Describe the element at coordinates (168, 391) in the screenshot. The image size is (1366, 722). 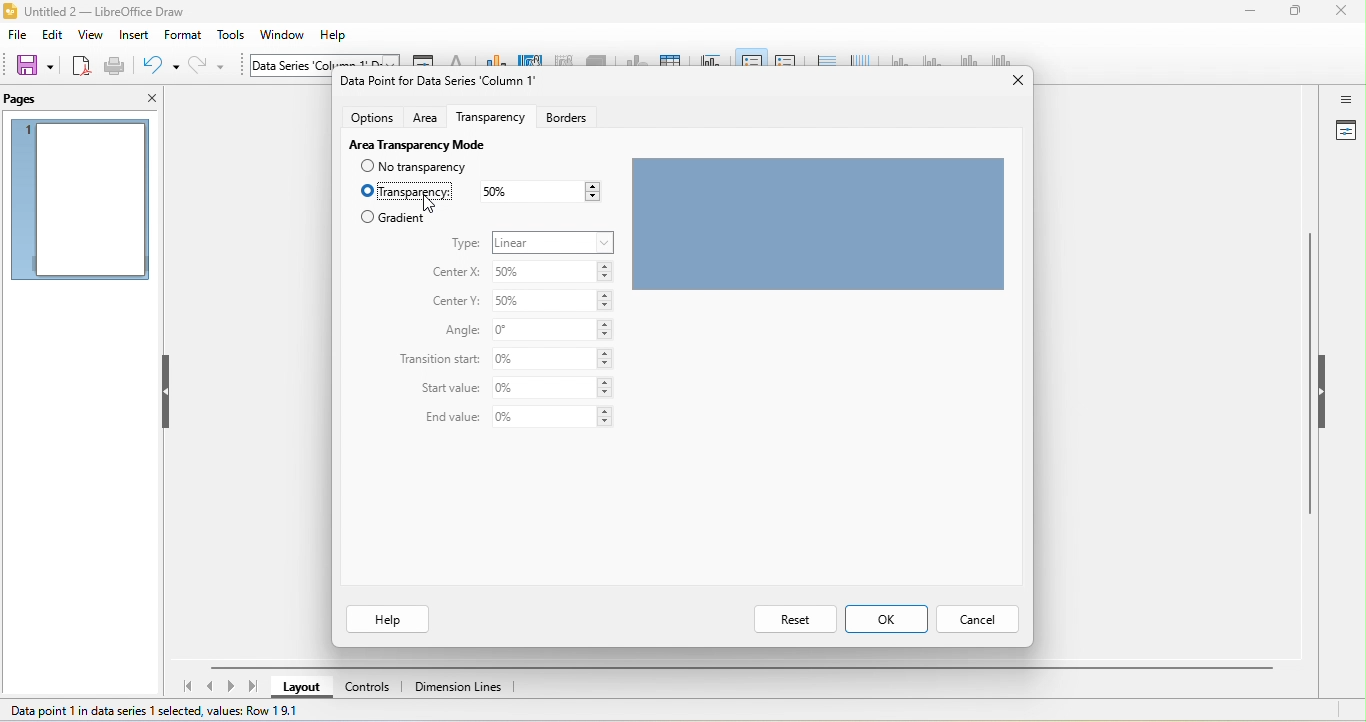
I see `hide` at that location.